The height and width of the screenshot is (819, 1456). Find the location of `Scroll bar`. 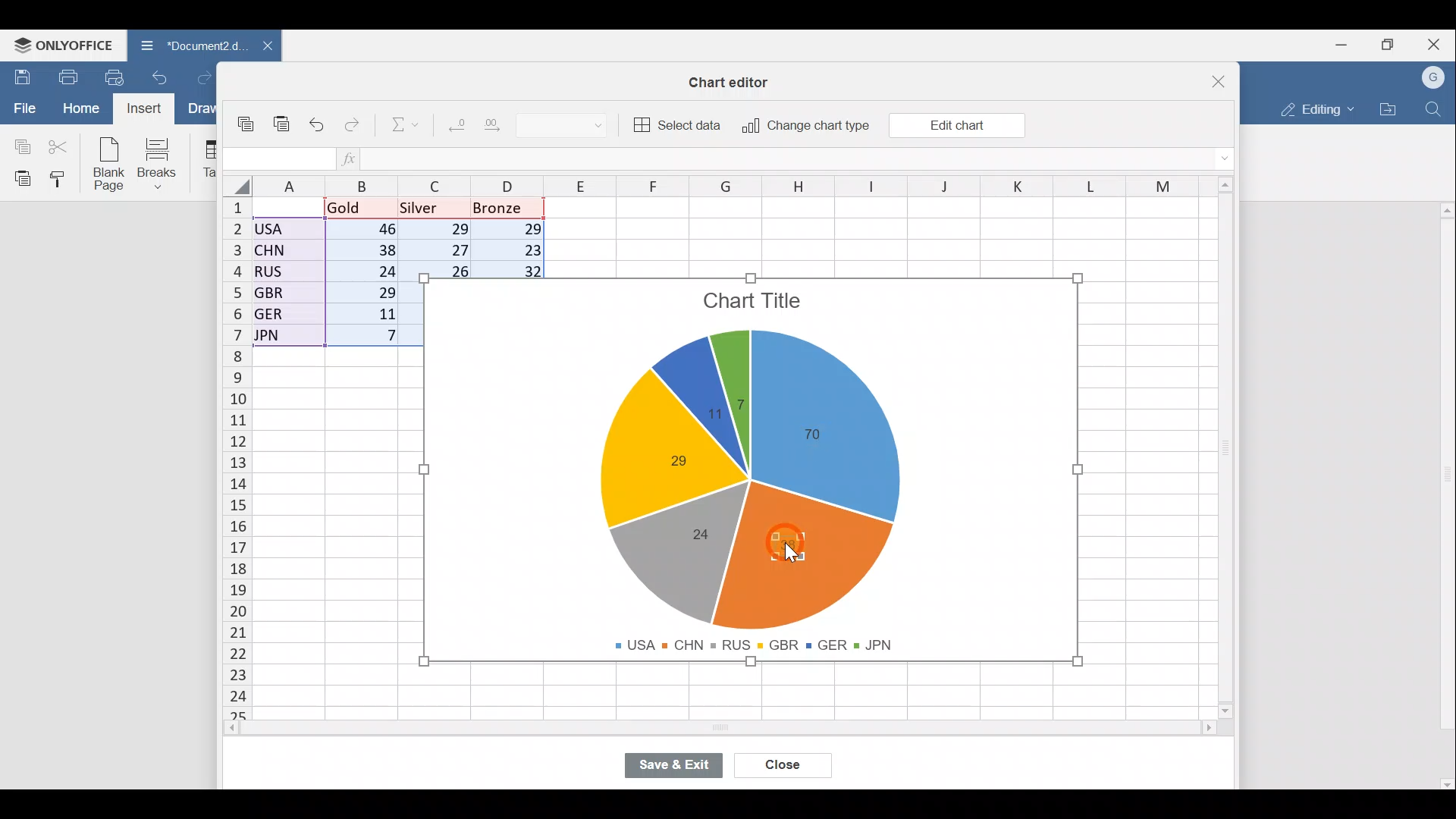

Scroll bar is located at coordinates (742, 729).